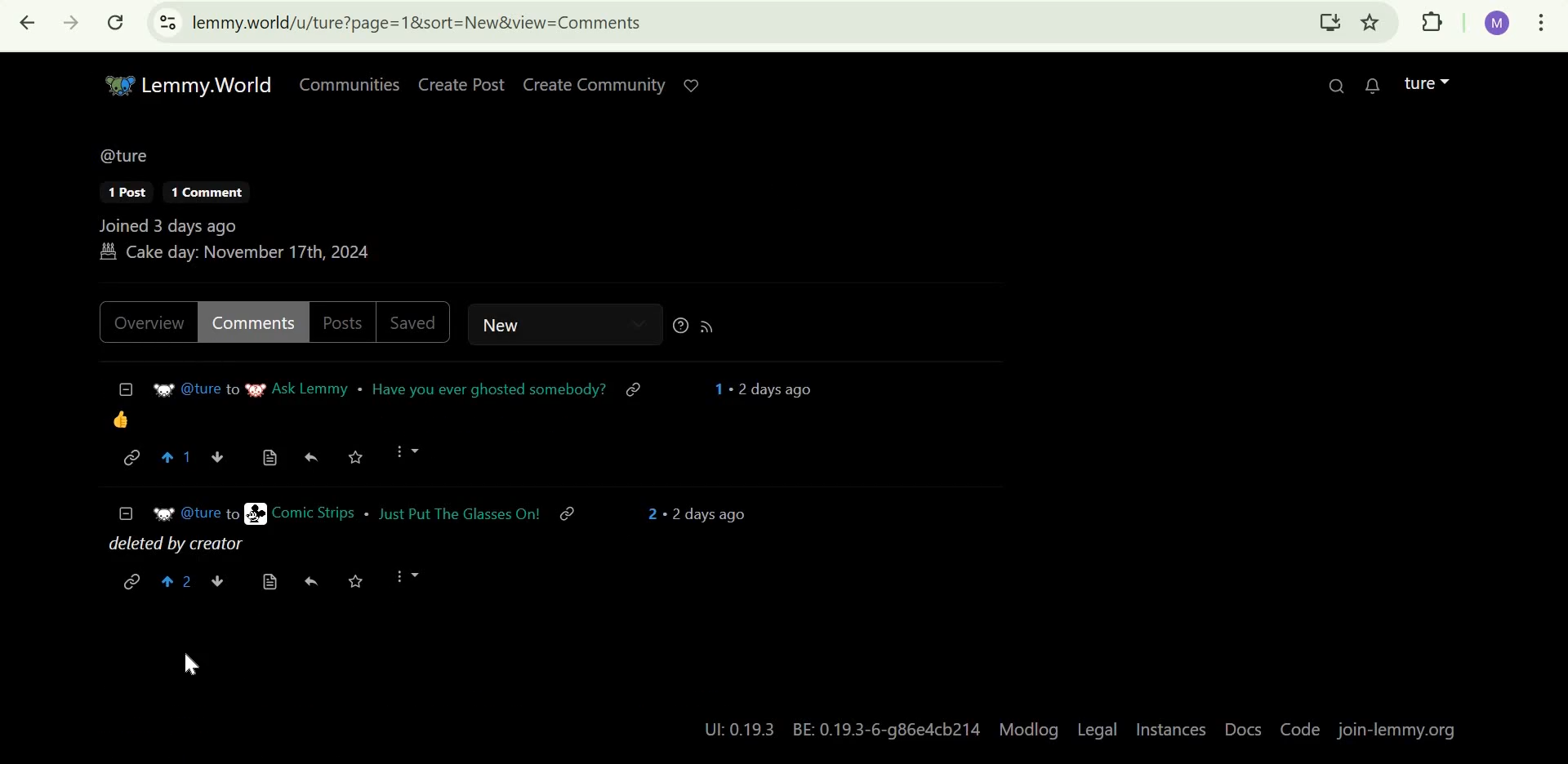 The height and width of the screenshot is (764, 1568). What do you see at coordinates (28, 24) in the screenshot?
I see `click to go back, hold to see history` at bounding box center [28, 24].